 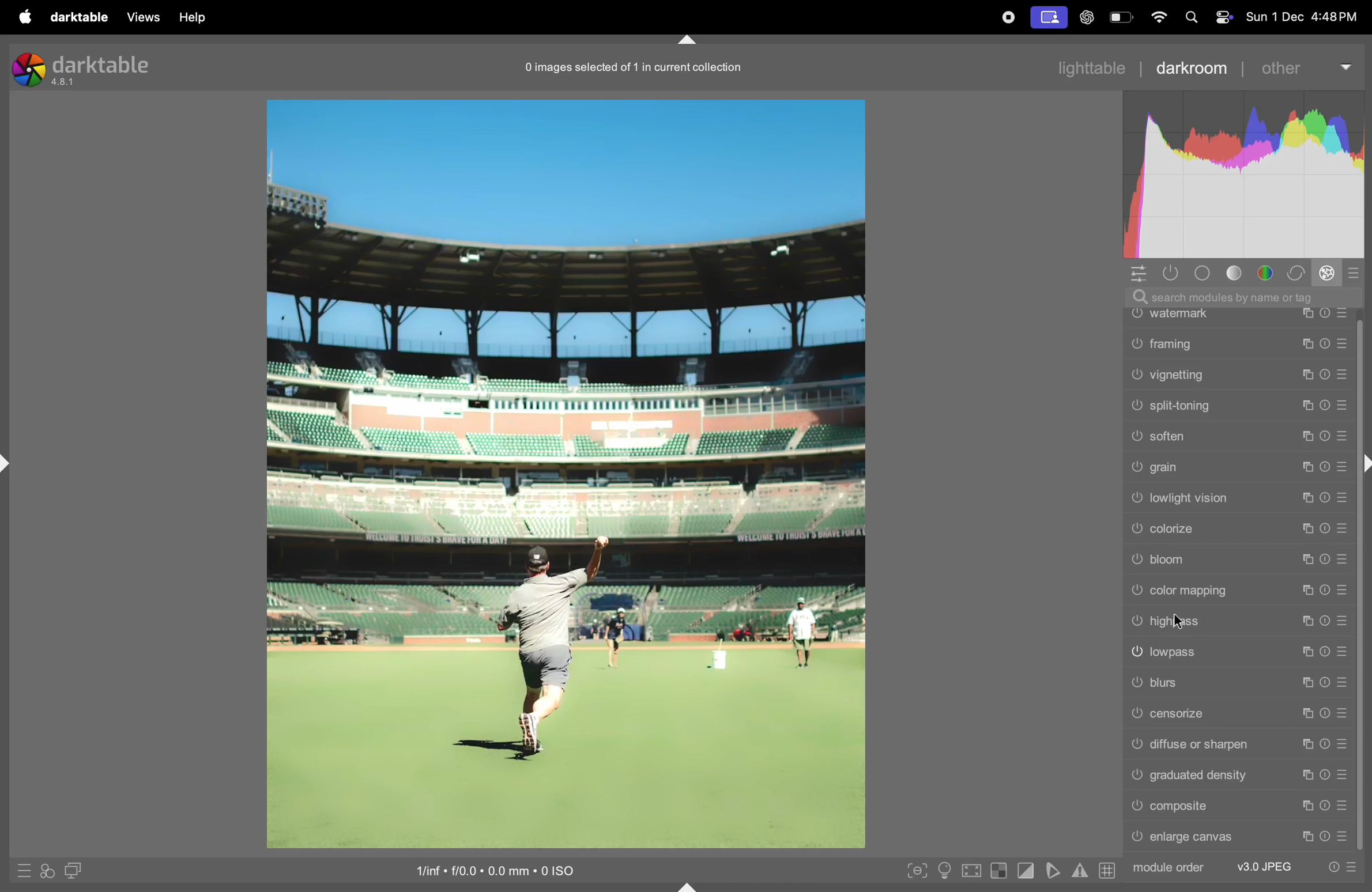 What do you see at coordinates (1238, 316) in the screenshot?
I see `watermark` at bounding box center [1238, 316].